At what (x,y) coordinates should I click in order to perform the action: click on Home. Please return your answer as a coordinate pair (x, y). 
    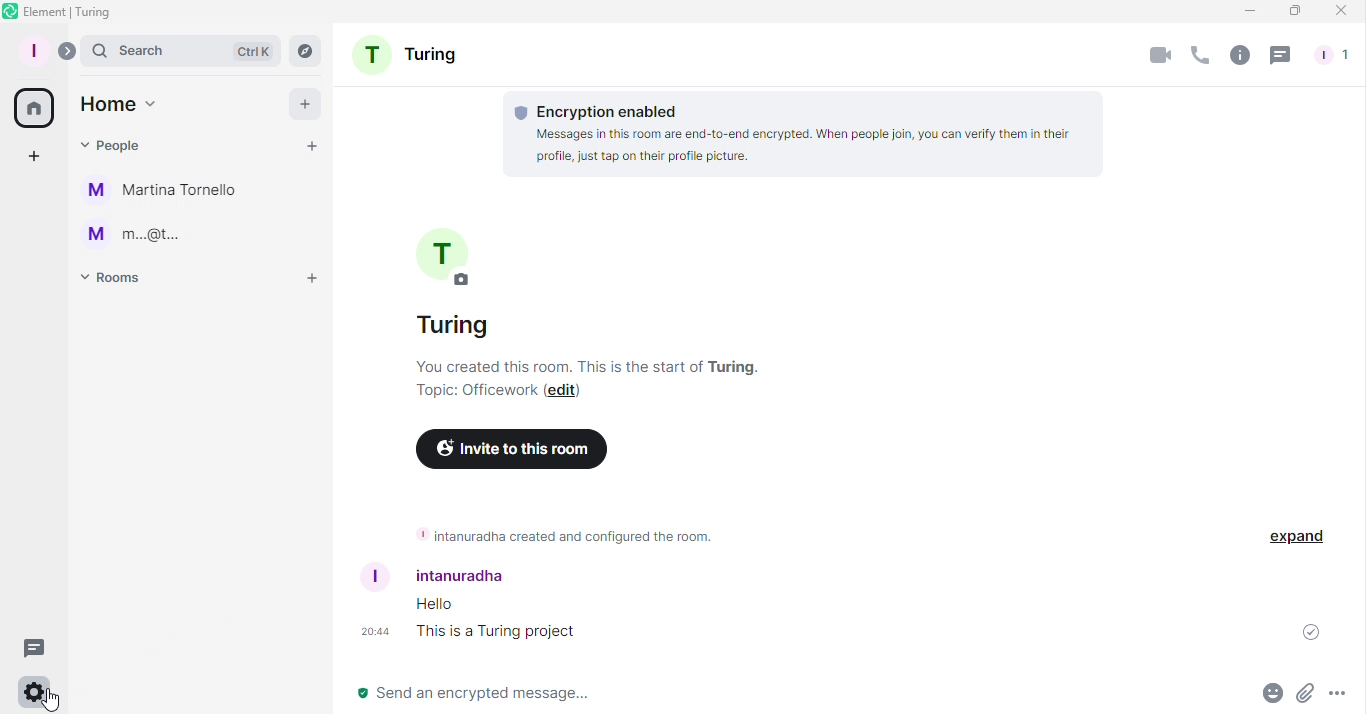
    Looking at the image, I should click on (118, 103).